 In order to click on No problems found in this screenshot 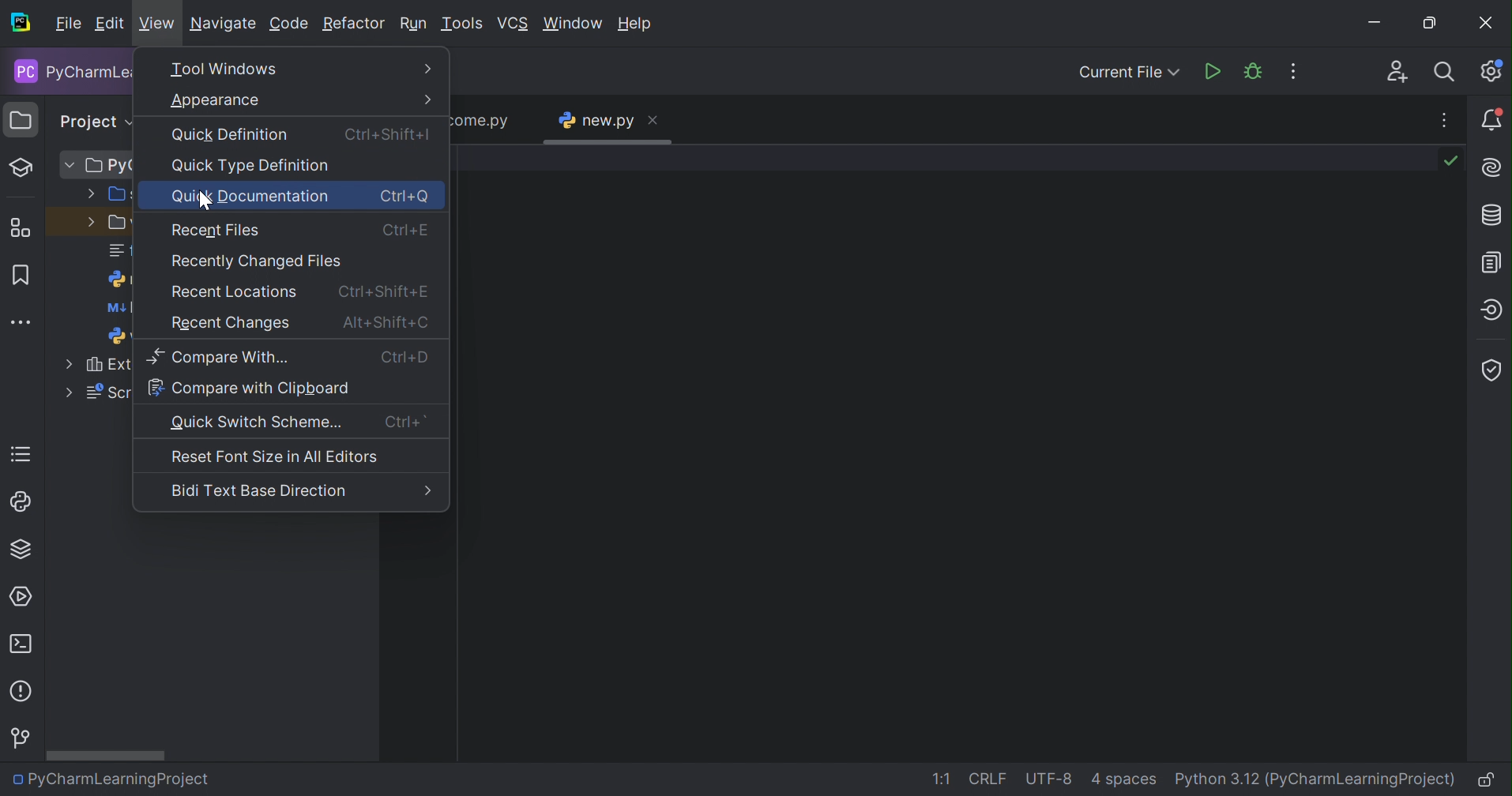, I will do `click(1453, 161)`.